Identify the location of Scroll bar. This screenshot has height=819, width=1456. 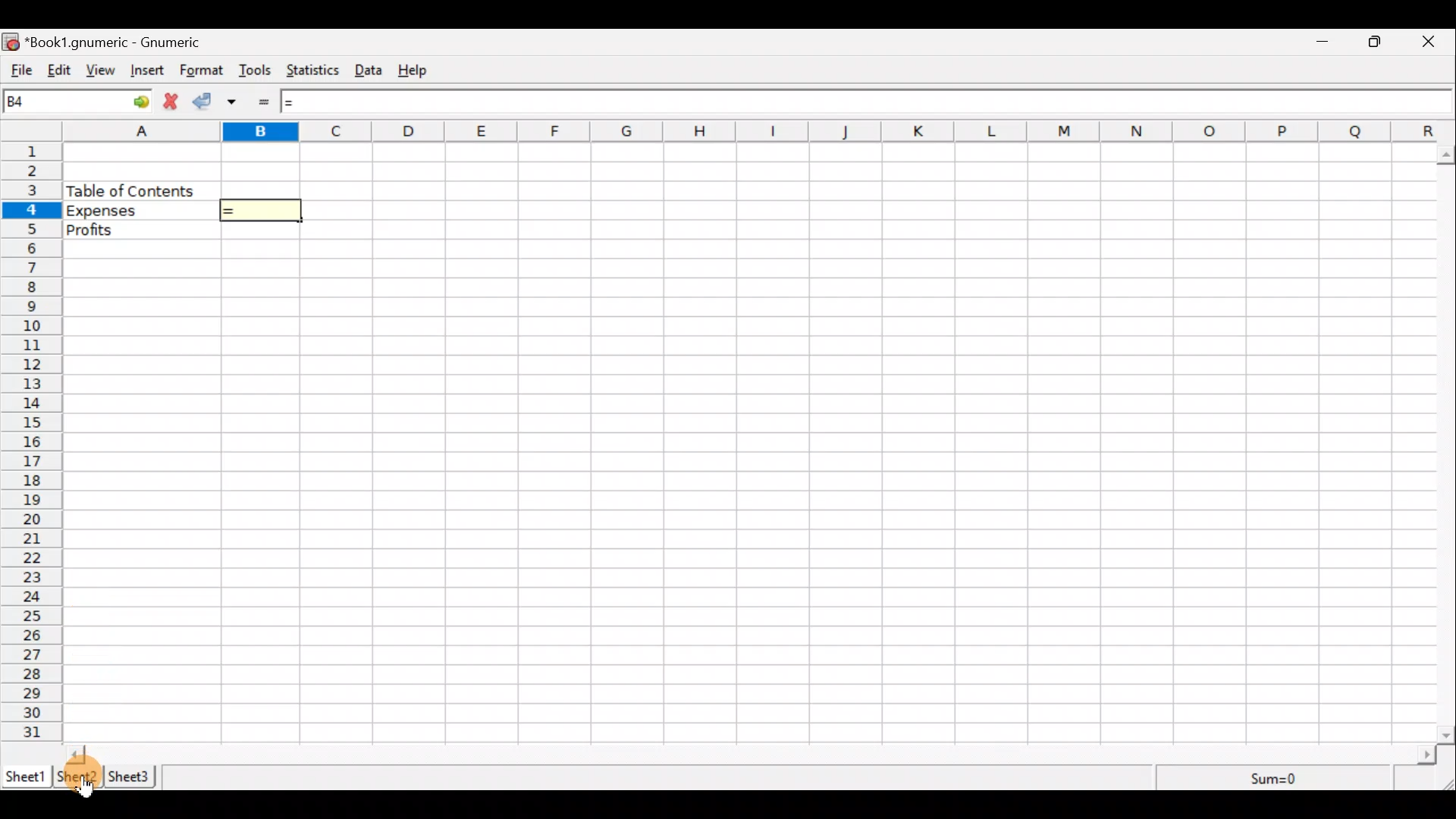
(752, 754).